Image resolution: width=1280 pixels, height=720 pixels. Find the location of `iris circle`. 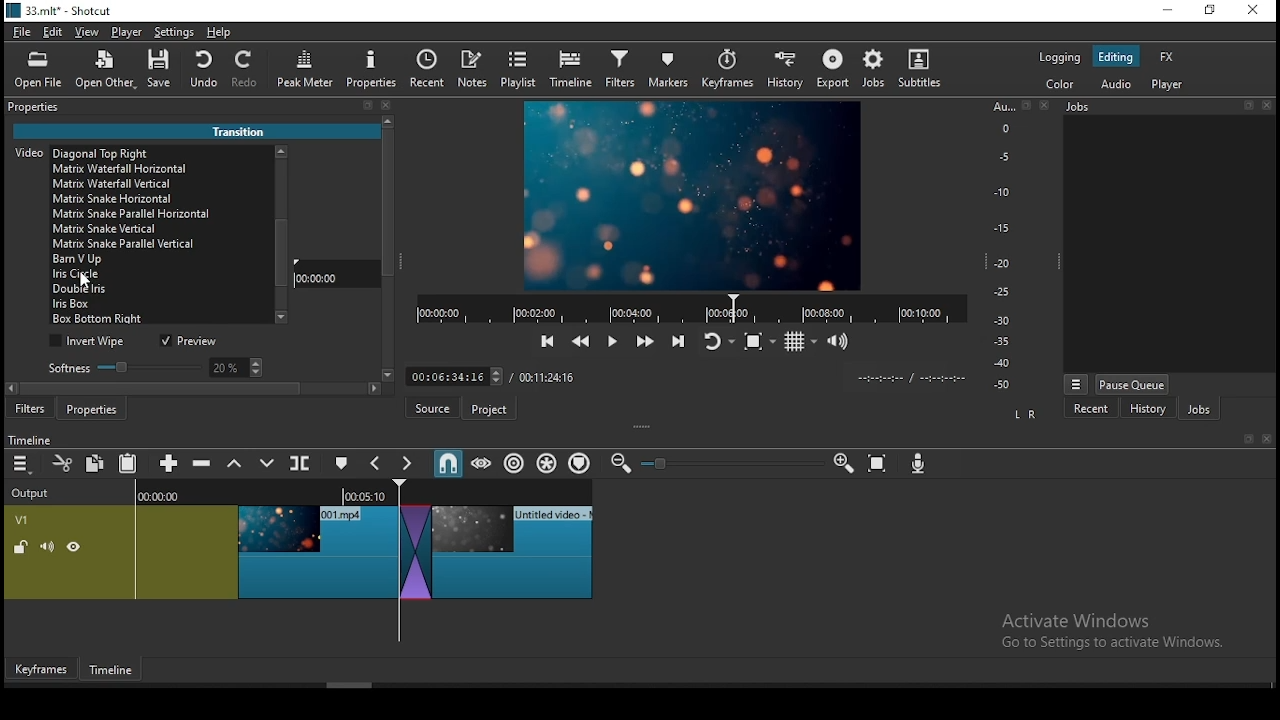

iris circle is located at coordinates (160, 274).